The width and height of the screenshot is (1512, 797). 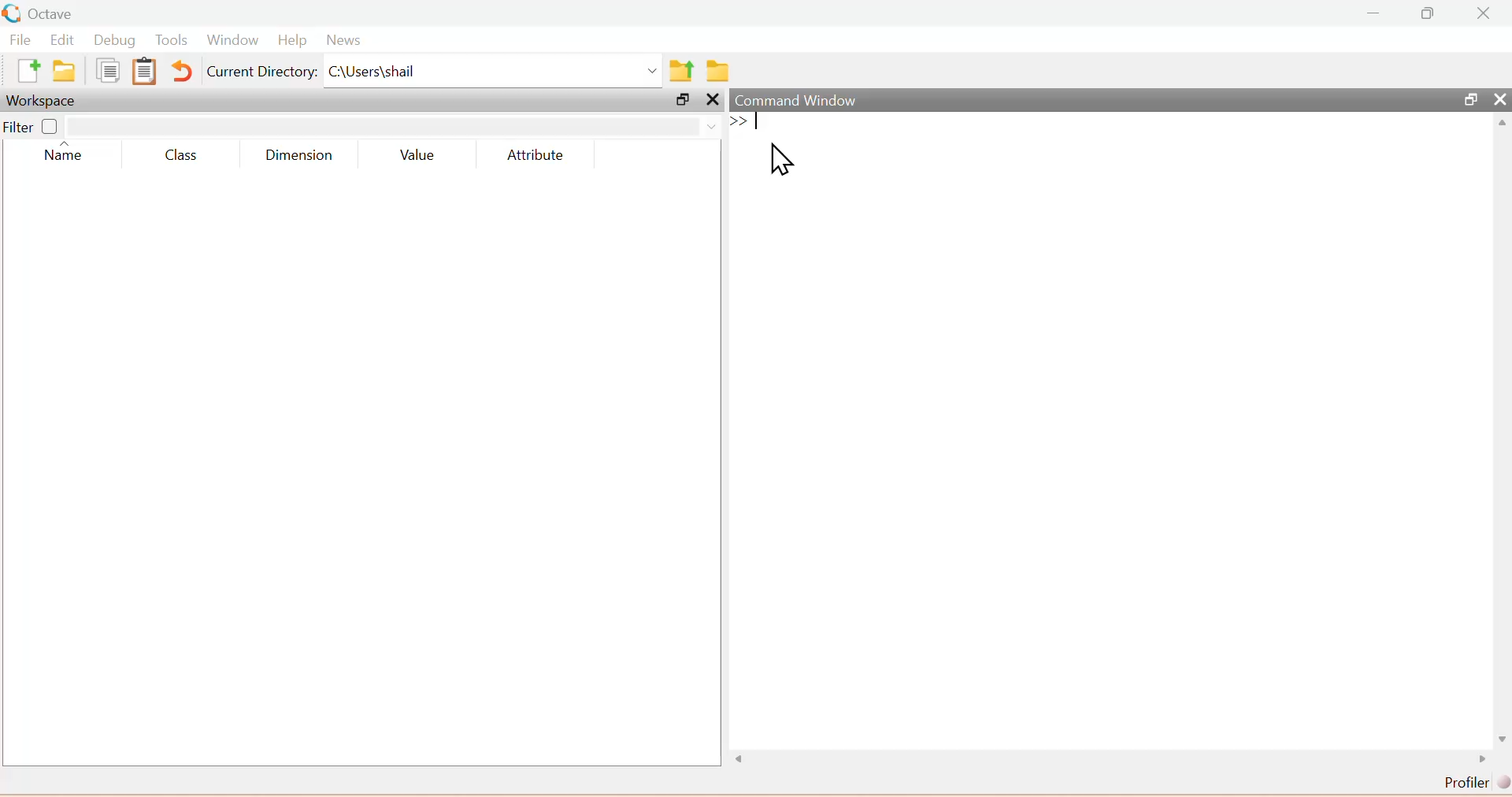 I want to click on Cursor, so click(x=784, y=161).